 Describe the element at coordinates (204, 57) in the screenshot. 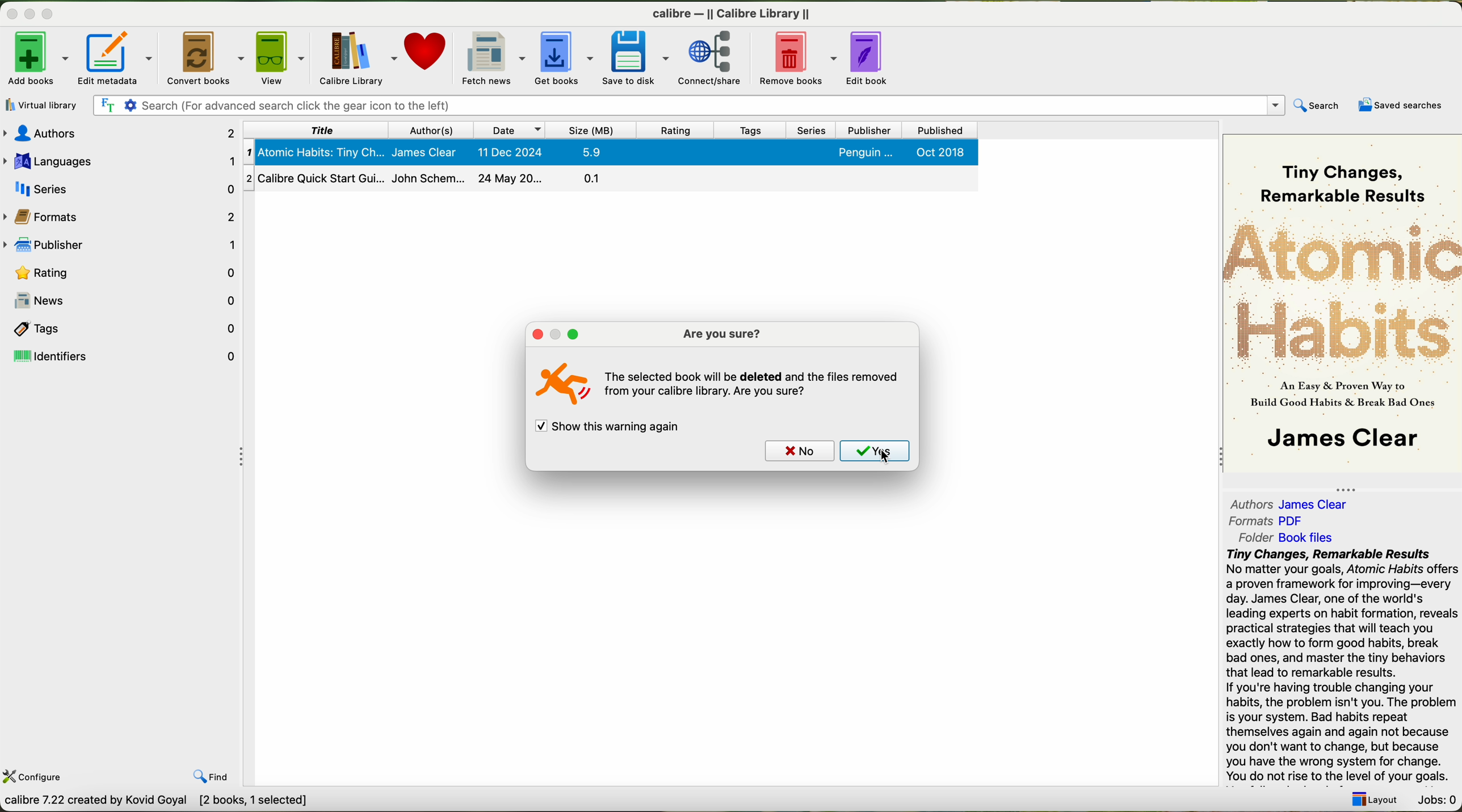

I see `convert books` at that location.